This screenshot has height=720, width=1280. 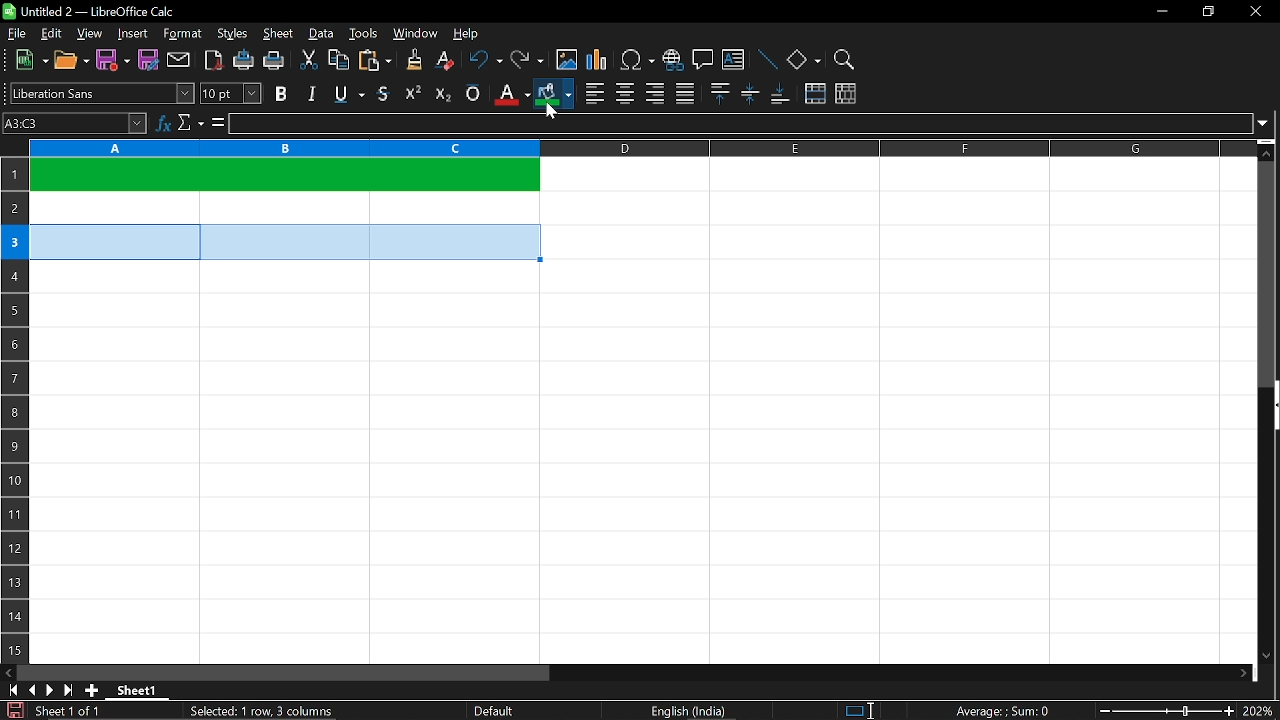 What do you see at coordinates (528, 61) in the screenshot?
I see `redo` at bounding box center [528, 61].